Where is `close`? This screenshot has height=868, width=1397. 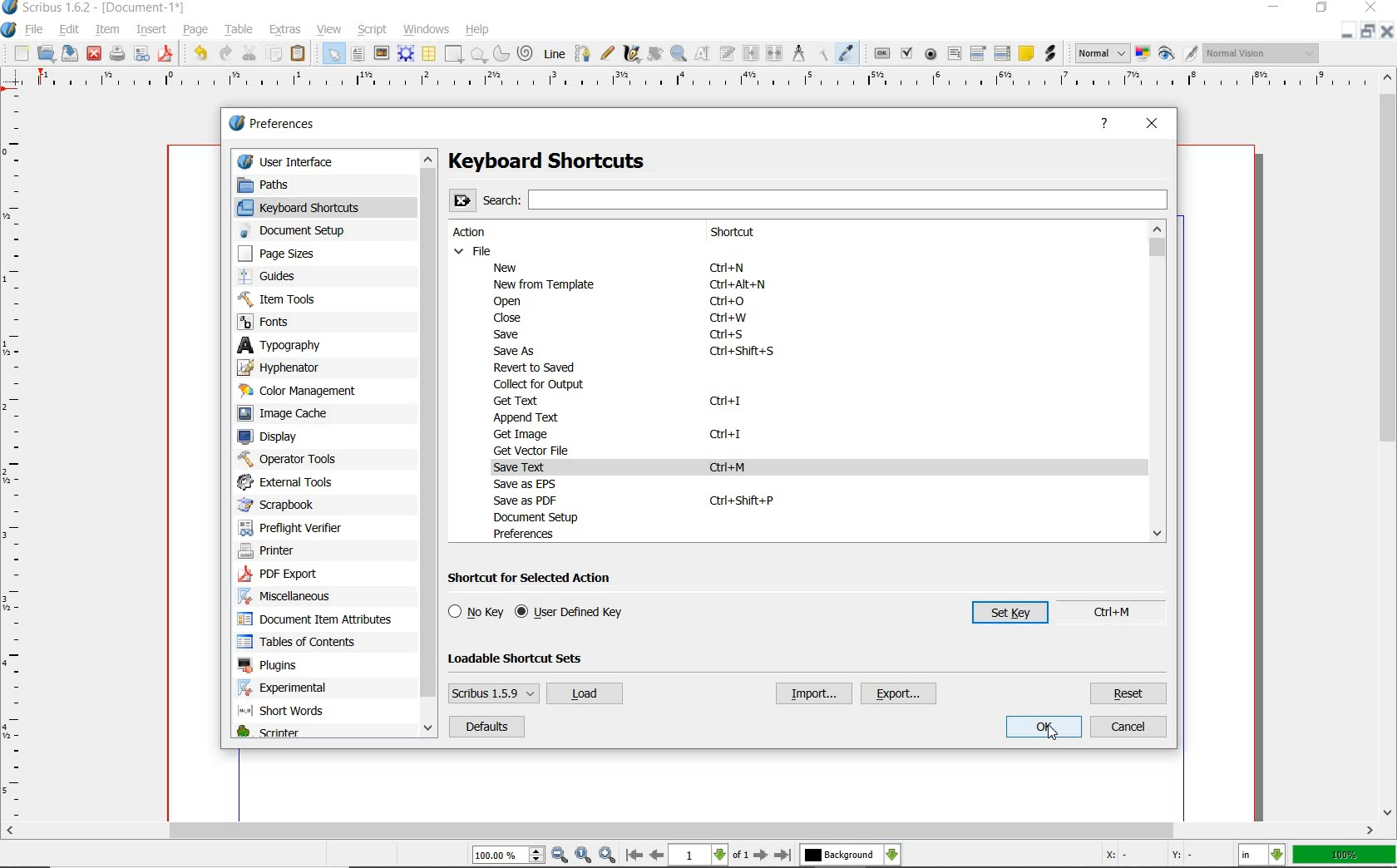 close is located at coordinates (1153, 126).